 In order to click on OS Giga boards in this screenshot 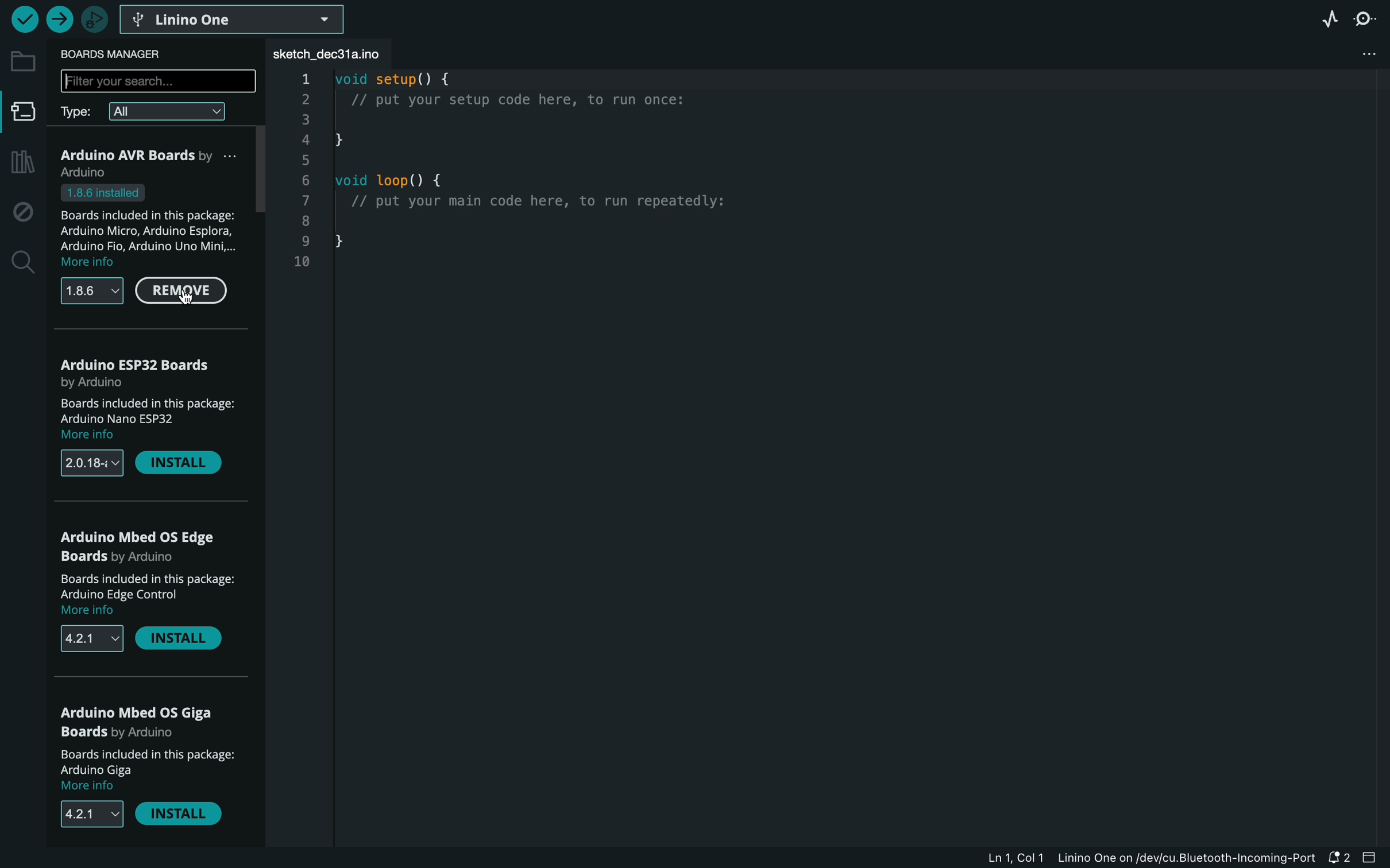, I will do `click(140, 722)`.